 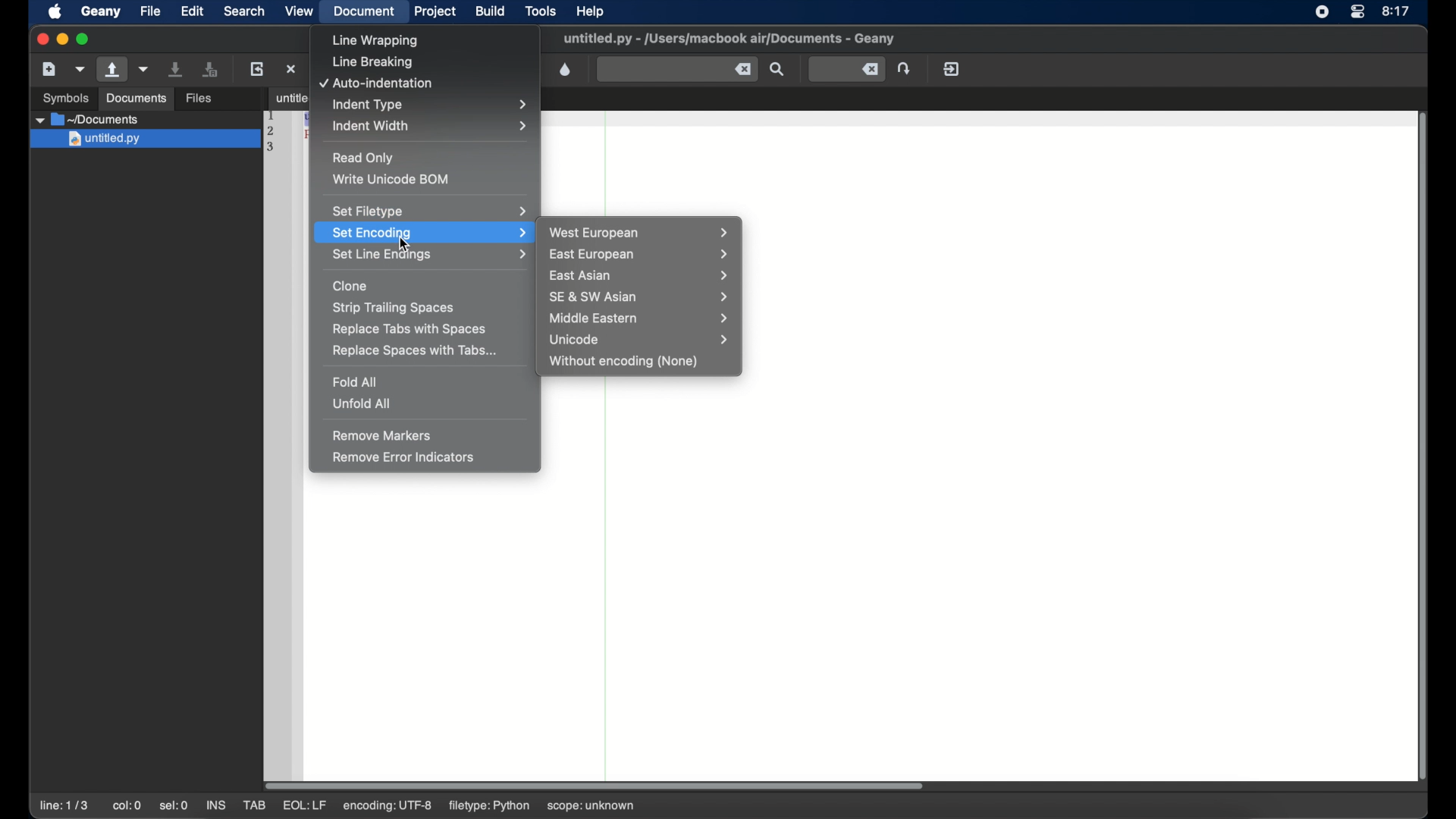 What do you see at coordinates (176, 69) in the screenshot?
I see `save the current file` at bounding box center [176, 69].